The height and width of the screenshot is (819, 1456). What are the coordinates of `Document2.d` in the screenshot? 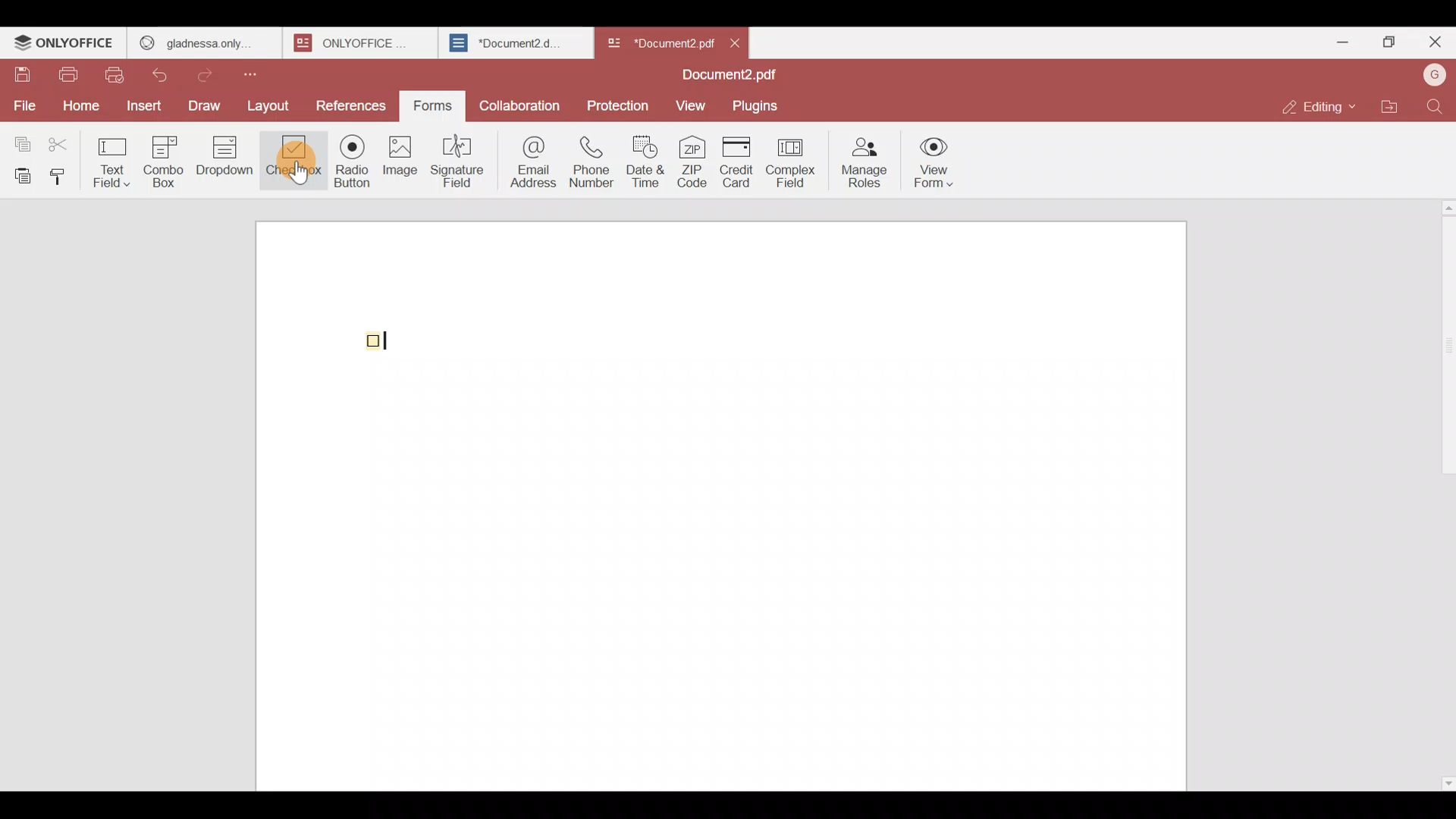 It's located at (515, 47).